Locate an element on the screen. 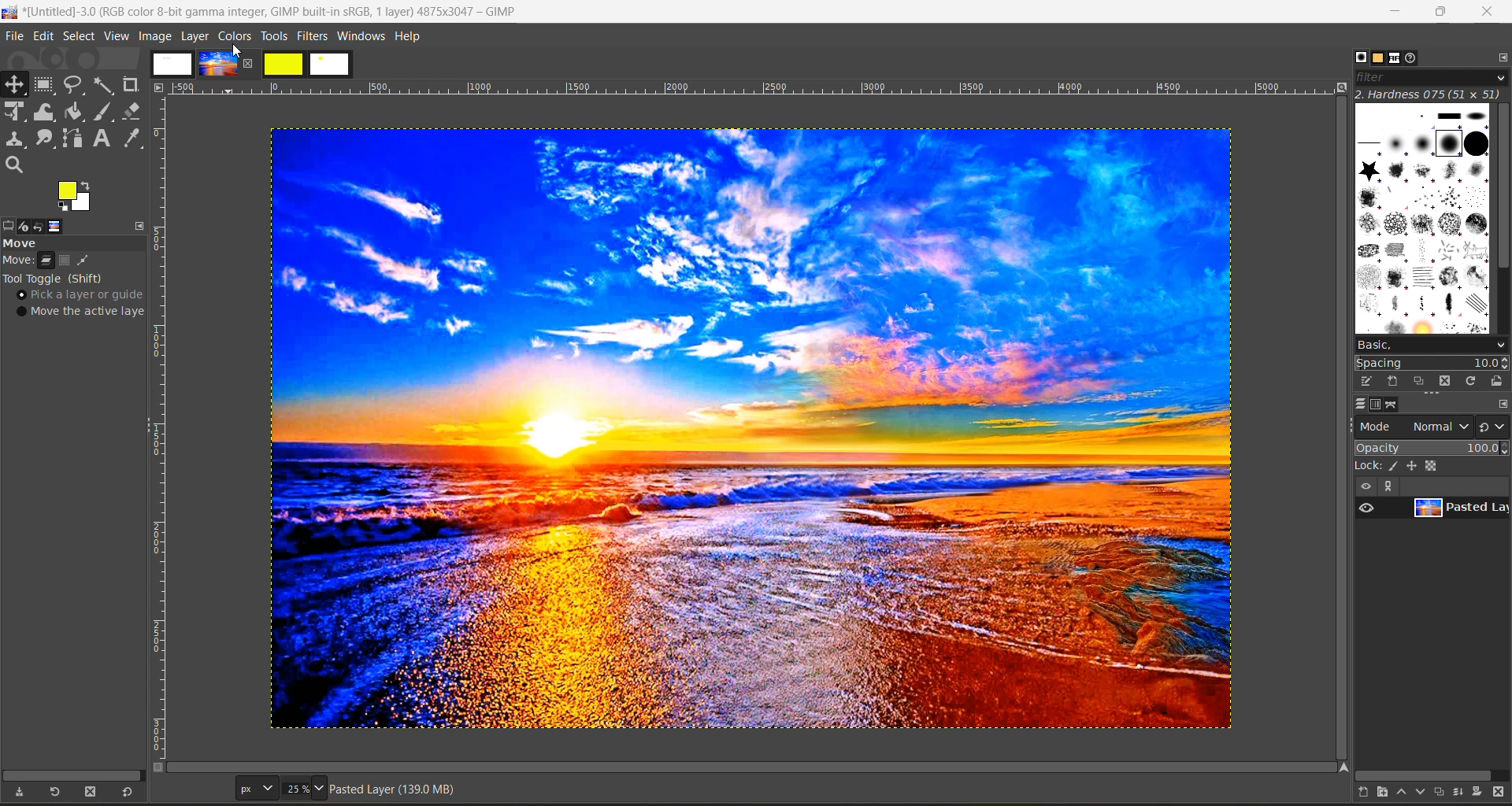 Image resolution: width=1512 pixels, height=806 pixels. basic is located at coordinates (1431, 345).